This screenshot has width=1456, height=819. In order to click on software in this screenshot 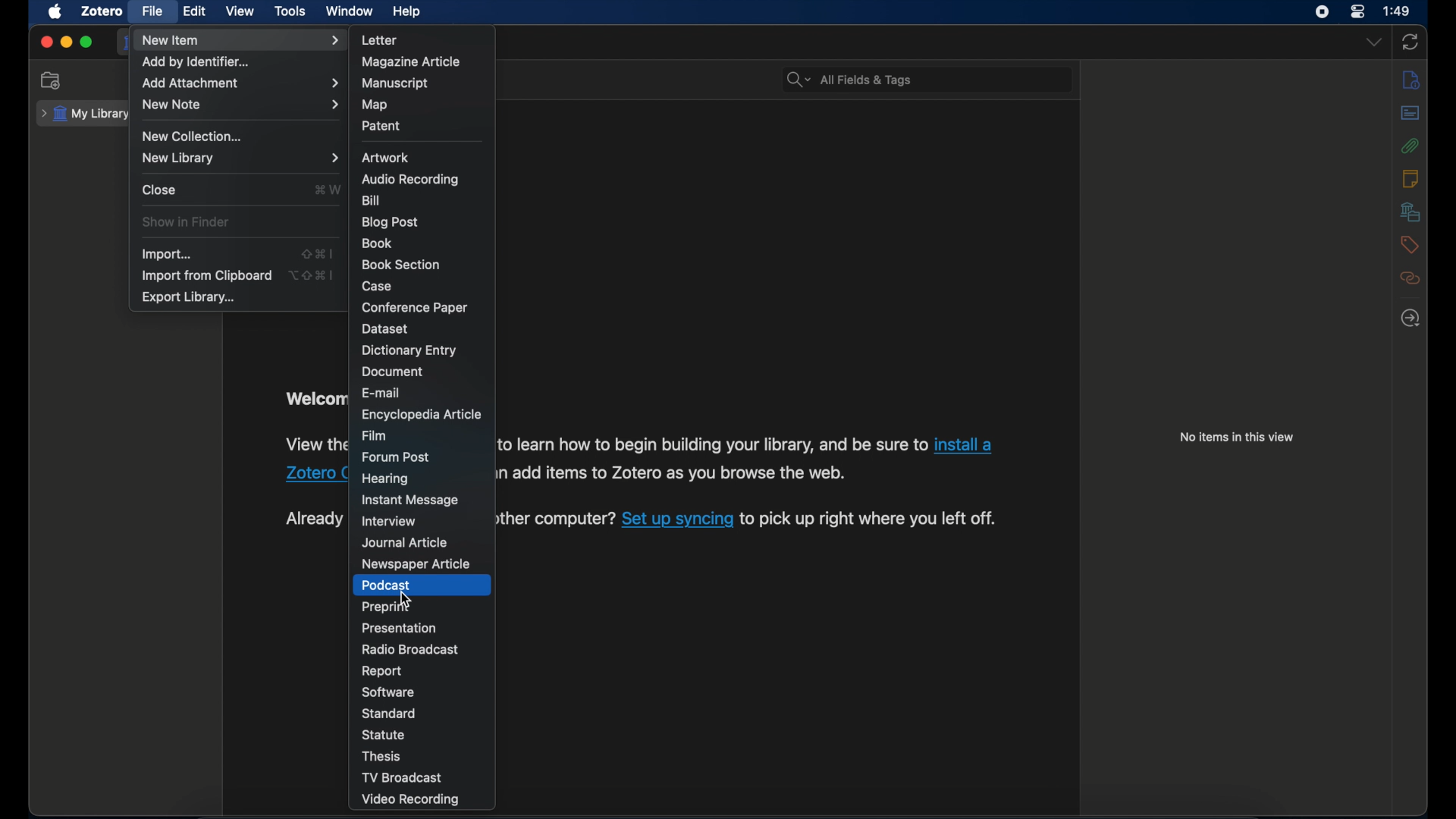, I will do `click(388, 692)`.